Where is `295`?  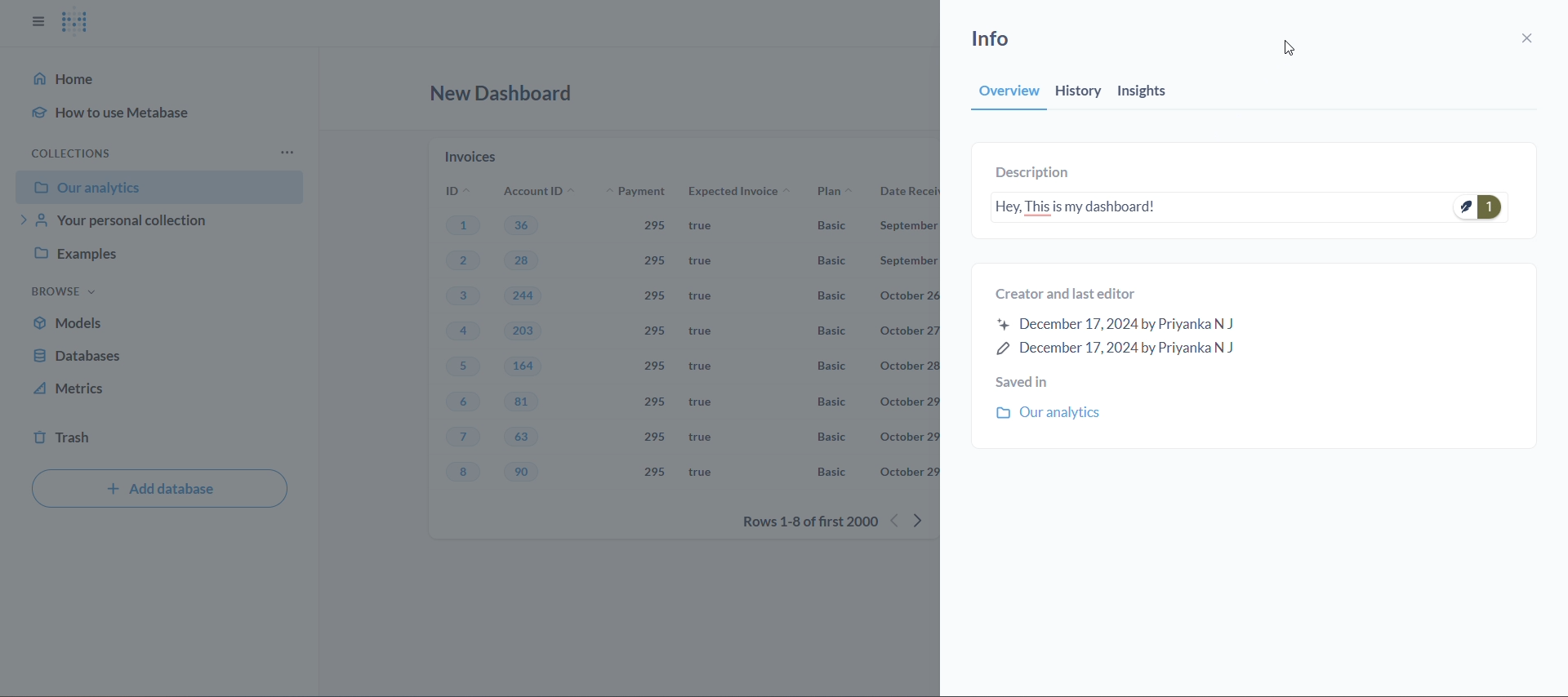
295 is located at coordinates (655, 332).